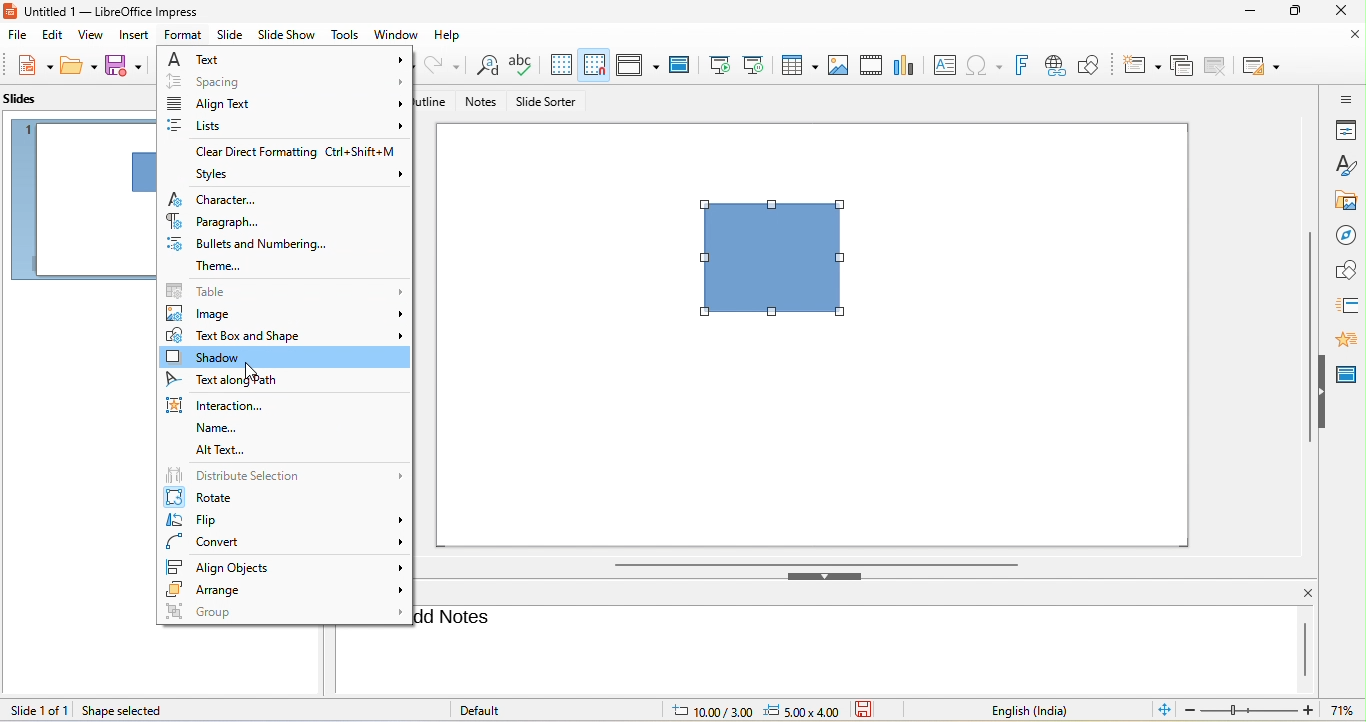  What do you see at coordinates (38, 710) in the screenshot?
I see `slide 1 of 1` at bounding box center [38, 710].